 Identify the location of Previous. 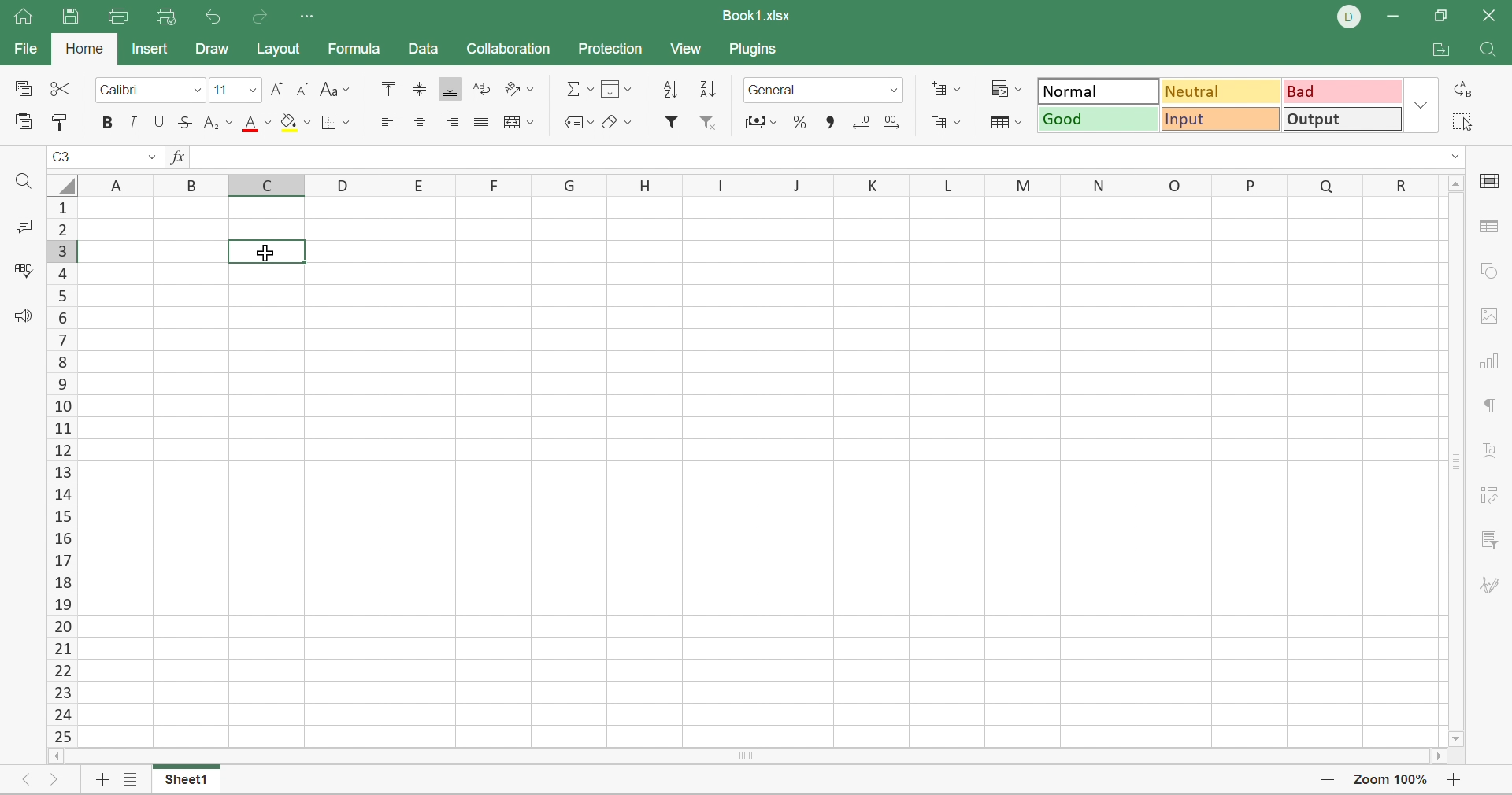
(21, 779).